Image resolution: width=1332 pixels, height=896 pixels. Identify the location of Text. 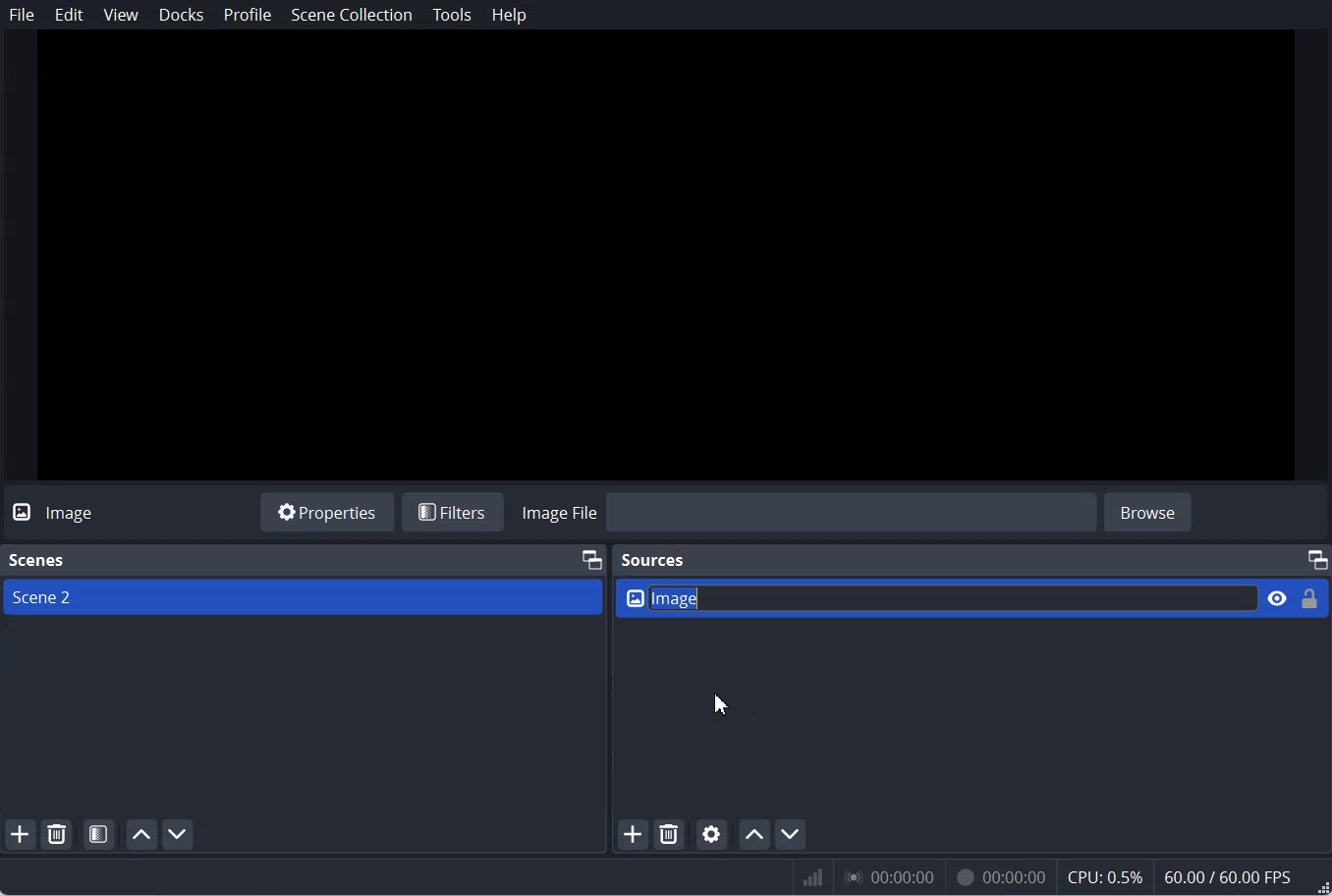
(84, 512).